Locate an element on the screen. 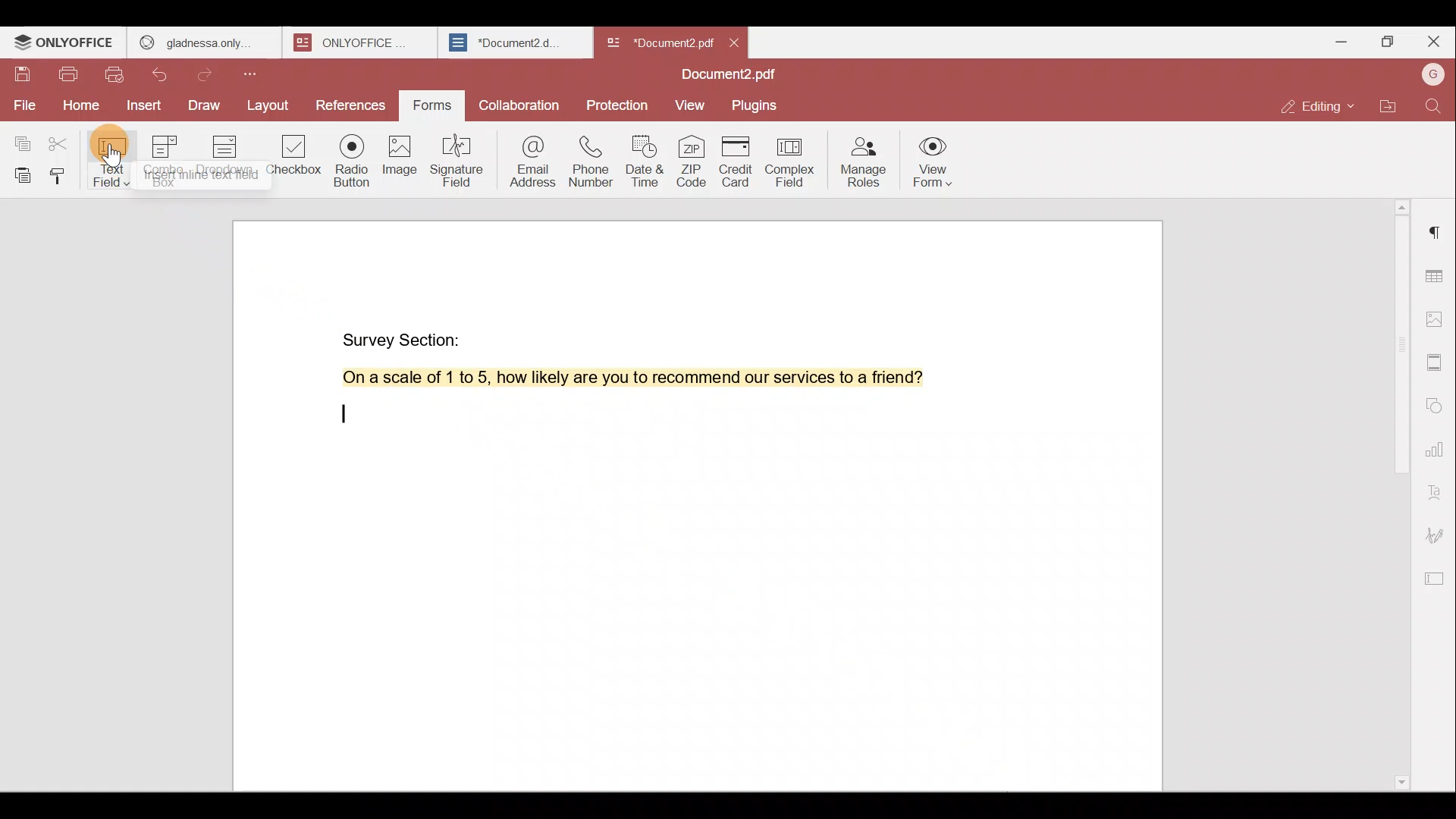  Print file is located at coordinates (67, 77).